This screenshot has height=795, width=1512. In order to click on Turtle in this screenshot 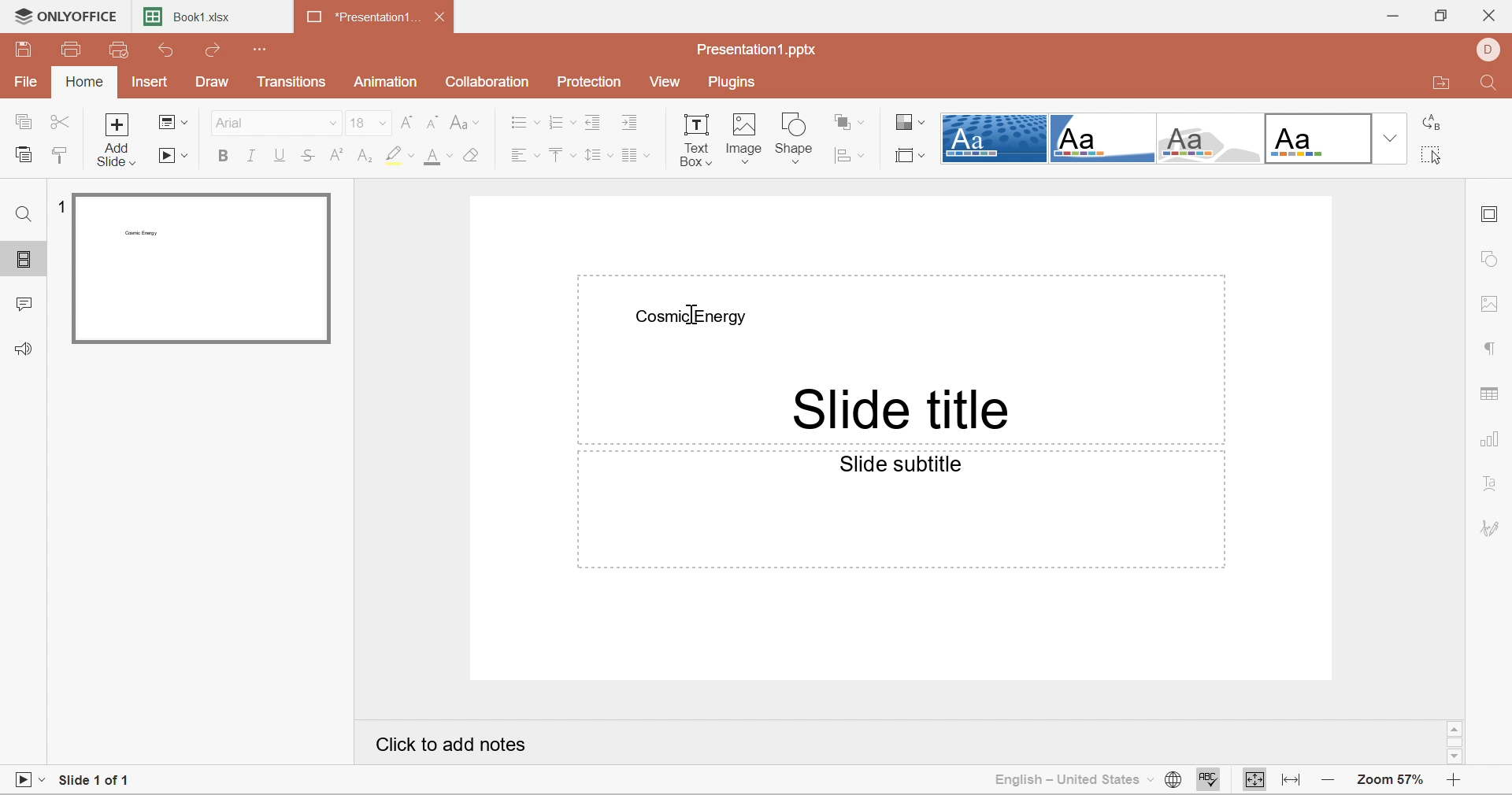, I will do `click(1213, 139)`.